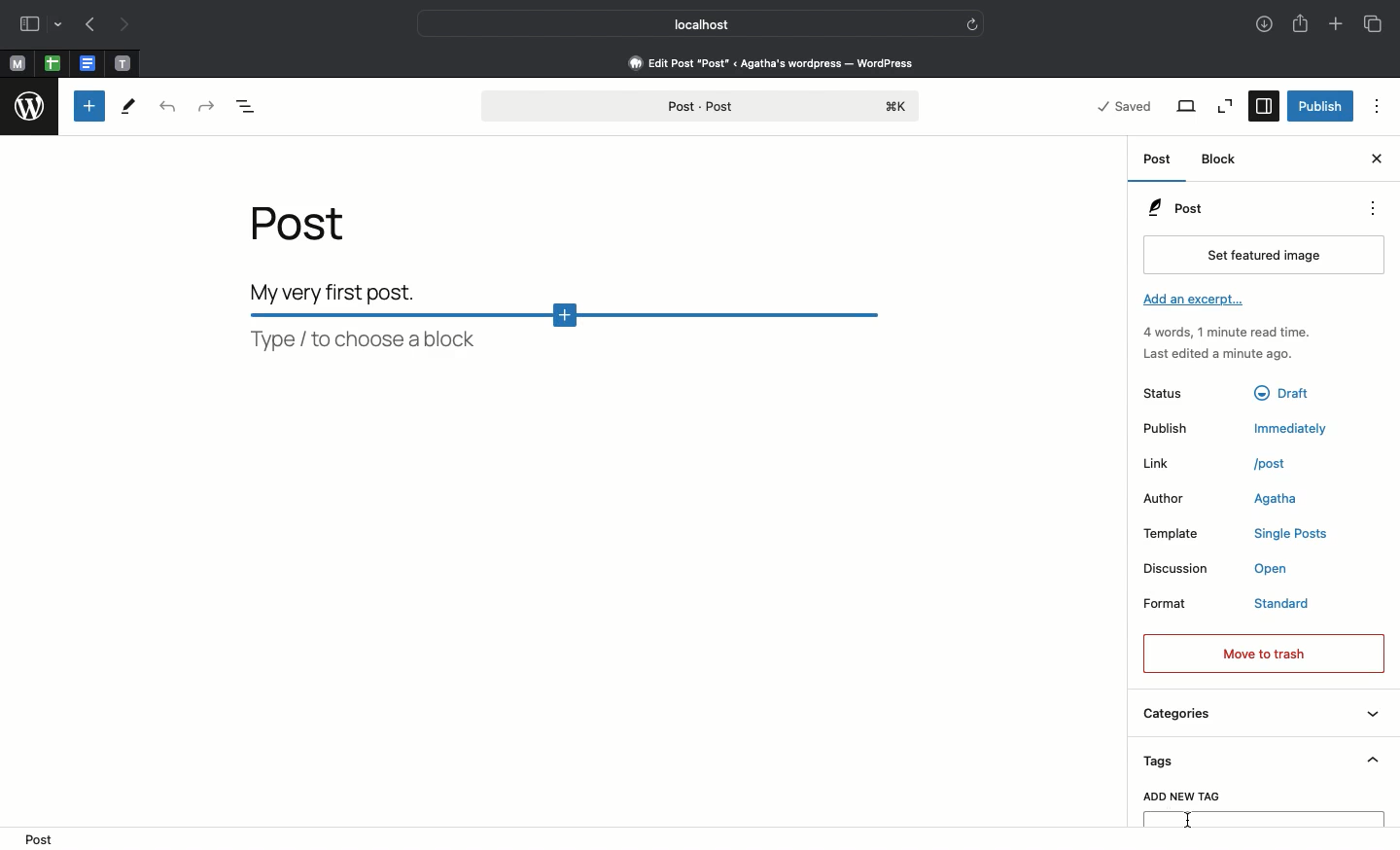 The height and width of the screenshot is (850, 1400). Describe the element at coordinates (37, 840) in the screenshot. I see `post` at that location.